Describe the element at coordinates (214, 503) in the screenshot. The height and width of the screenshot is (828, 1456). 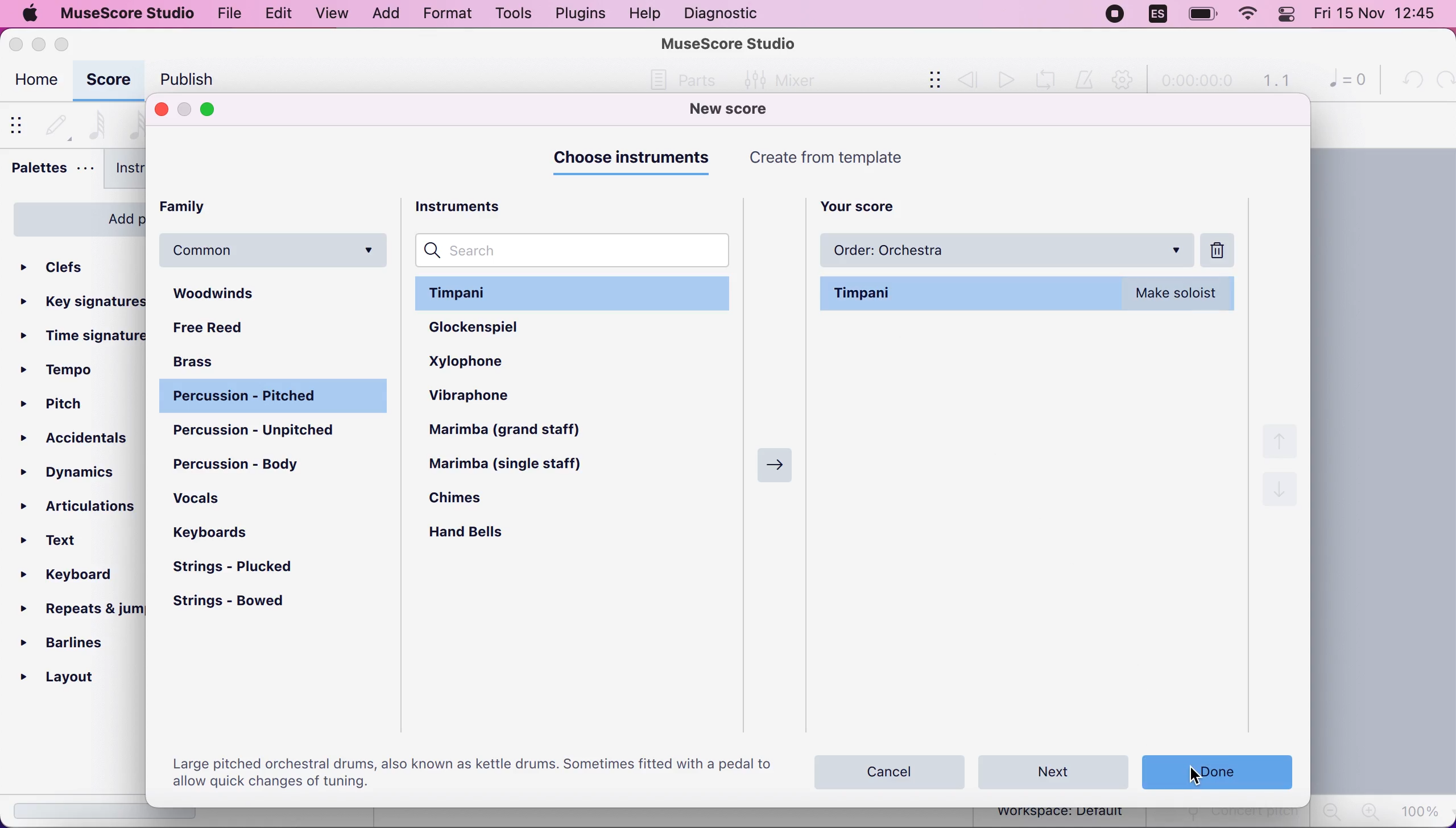
I see `vocals` at that location.